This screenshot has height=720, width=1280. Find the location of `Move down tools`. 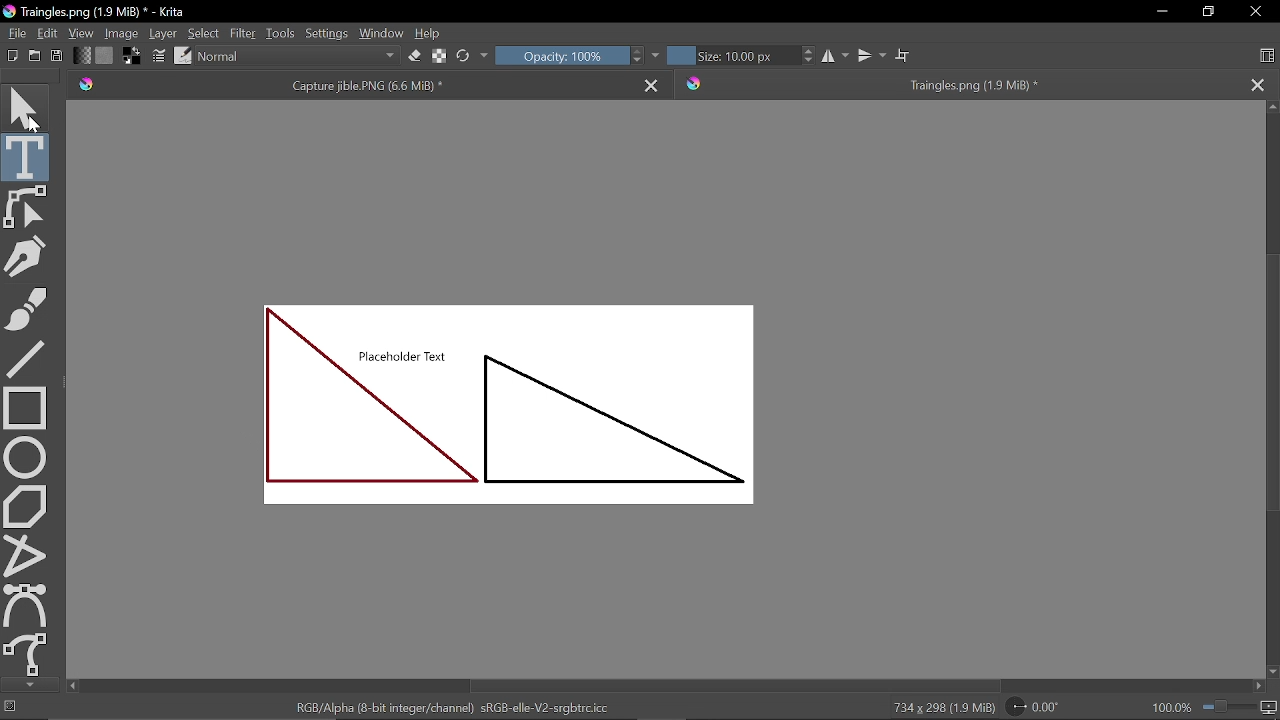

Move down tools is located at coordinates (27, 684).